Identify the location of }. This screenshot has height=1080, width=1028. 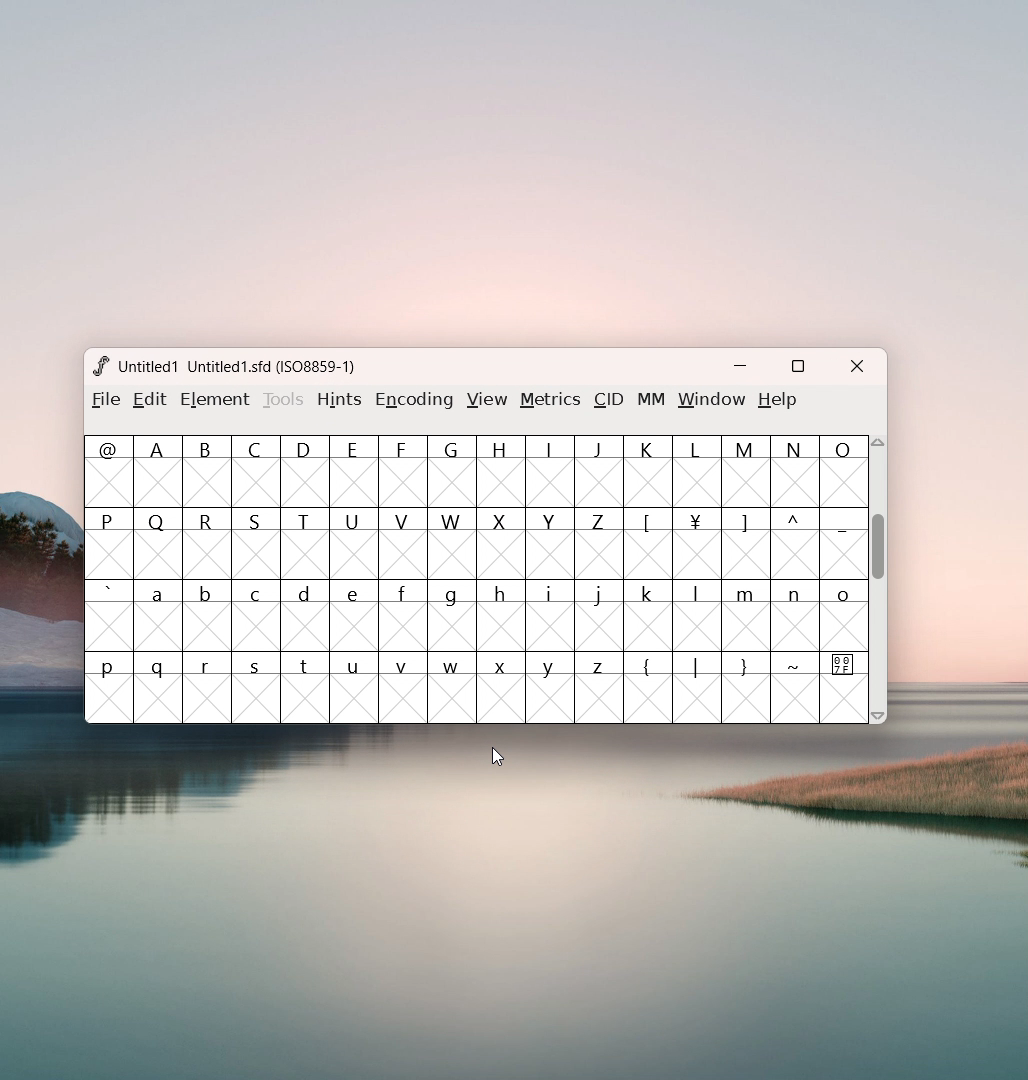
(748, 689).